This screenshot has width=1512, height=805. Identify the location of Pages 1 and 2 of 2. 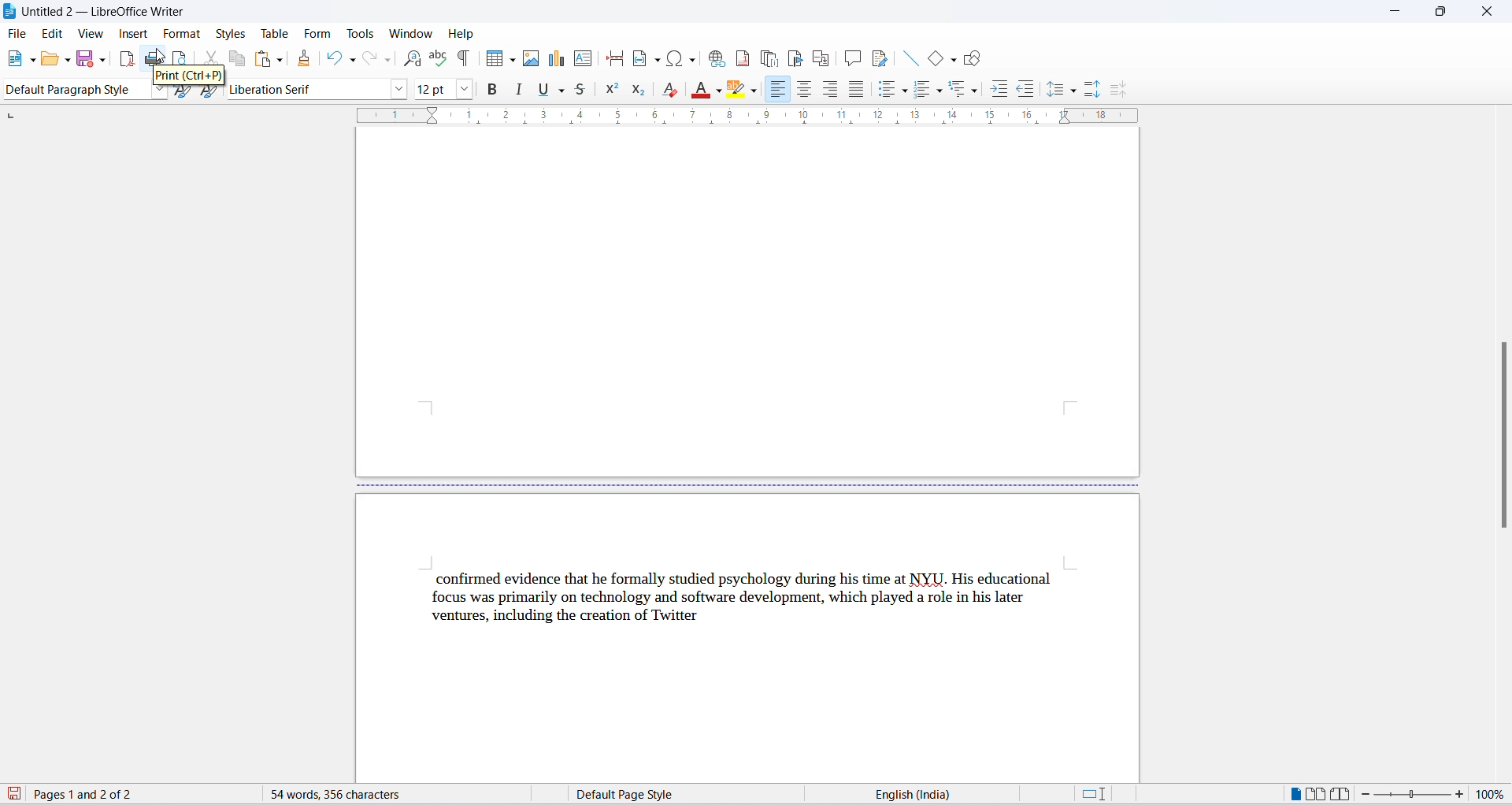
(91, 795).